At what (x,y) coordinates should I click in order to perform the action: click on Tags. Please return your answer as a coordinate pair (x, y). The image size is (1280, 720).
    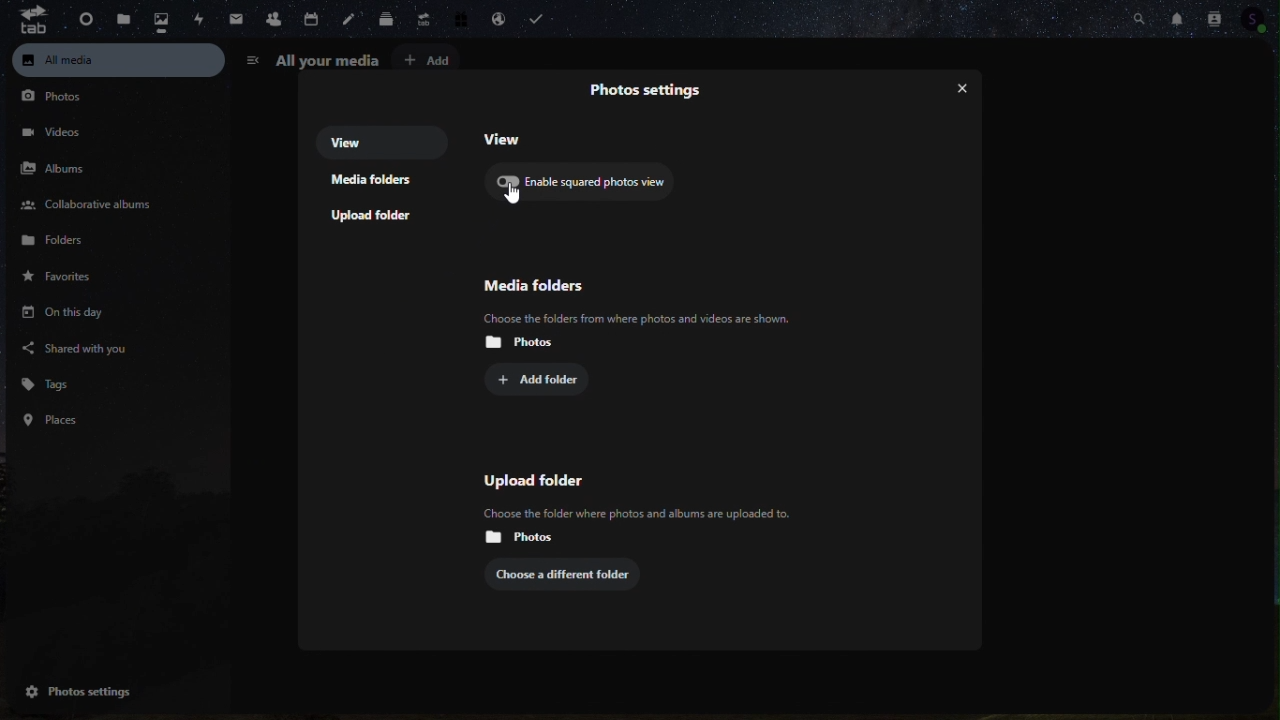
    Looking at the image, I should click on (55, 382).